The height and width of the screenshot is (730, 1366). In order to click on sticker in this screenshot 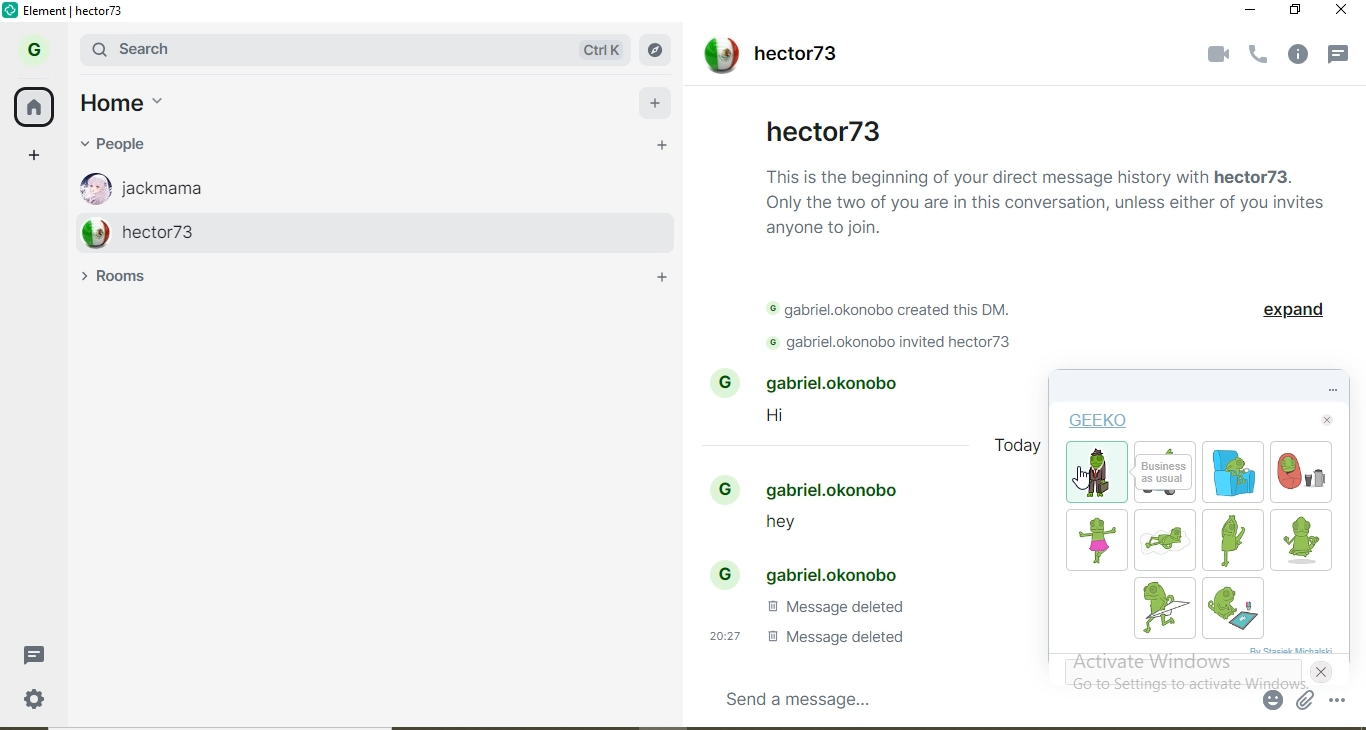, I will do `click(1098, 473)`.